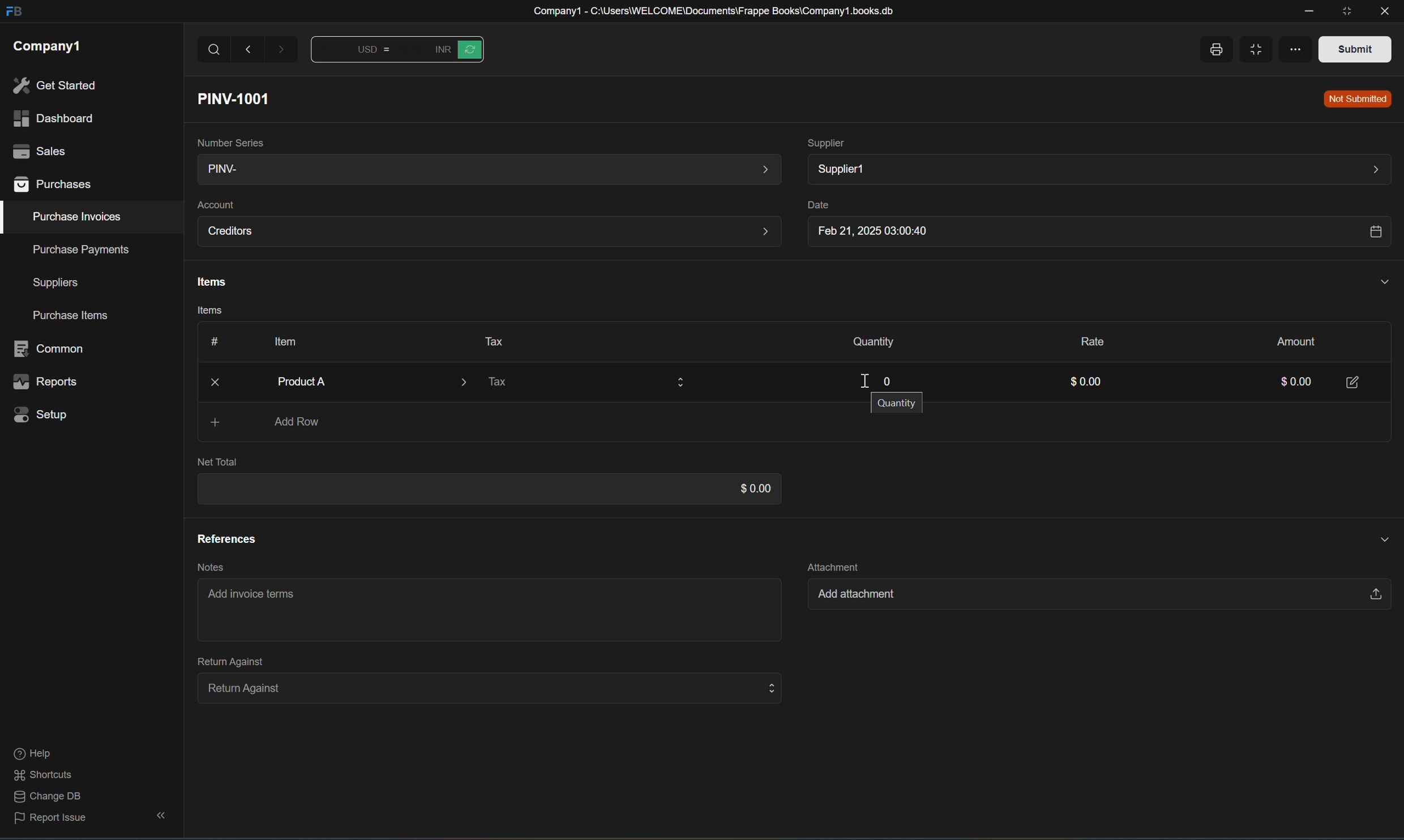 This screenshot has height=840, width=1404. What do you see at coordinates (226, 538) in the screenshot?
I see `References` at bounding box center [226, 538].